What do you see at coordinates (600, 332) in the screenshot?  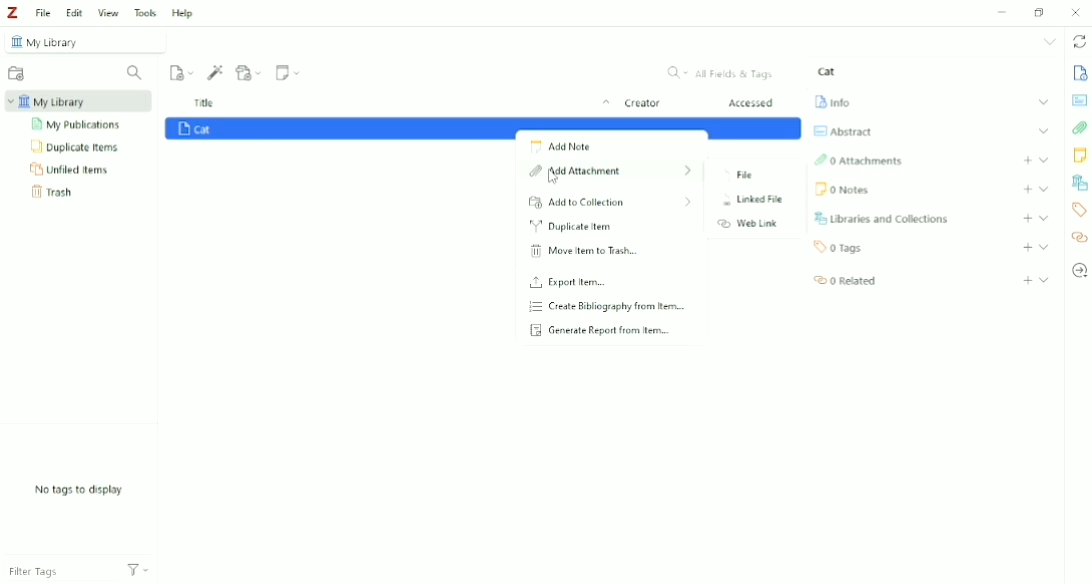 I see `Generate Report from Item` at bounding box center [600, 332].